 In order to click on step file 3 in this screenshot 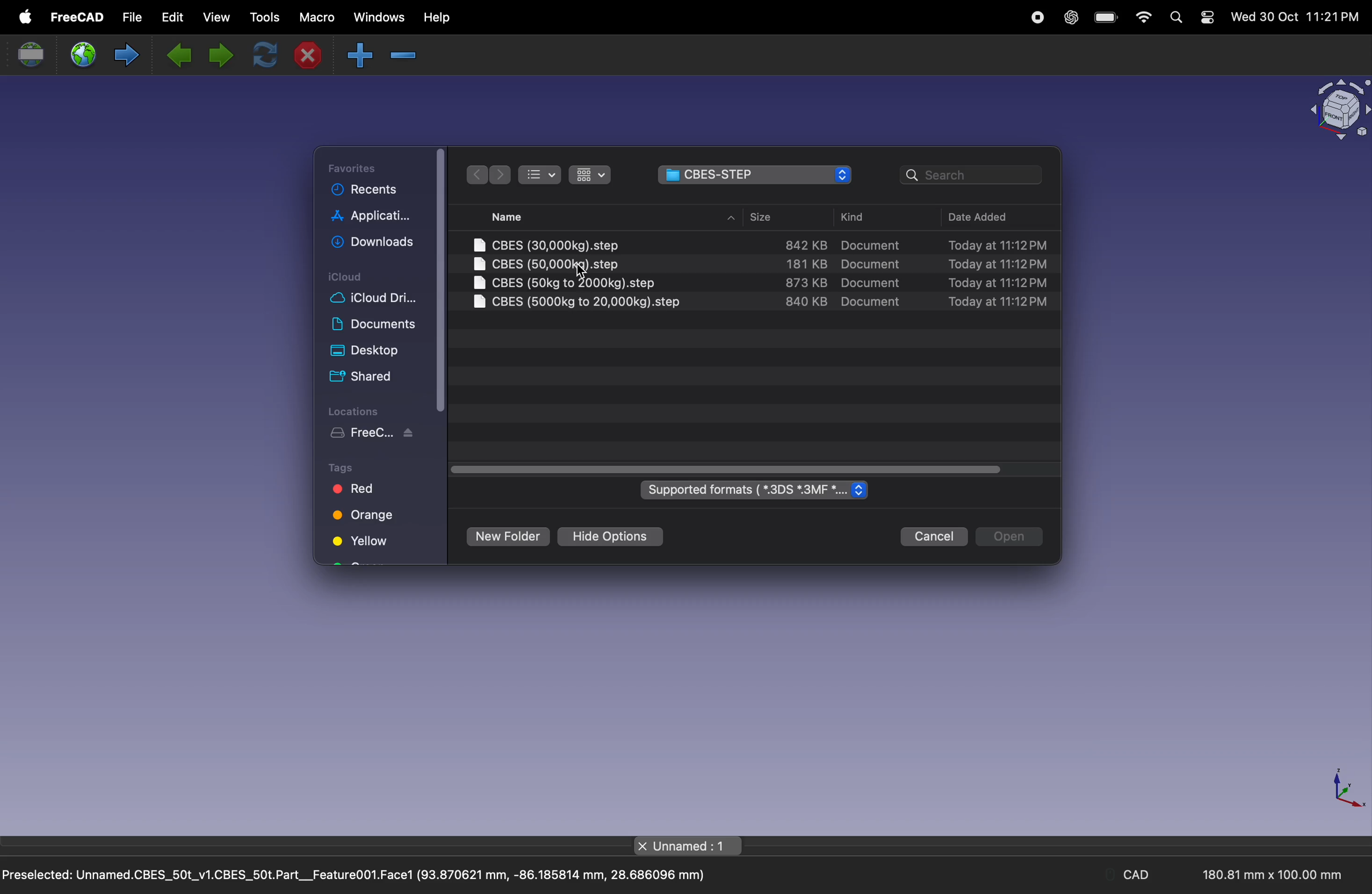, I will do `click(756, 284)`.